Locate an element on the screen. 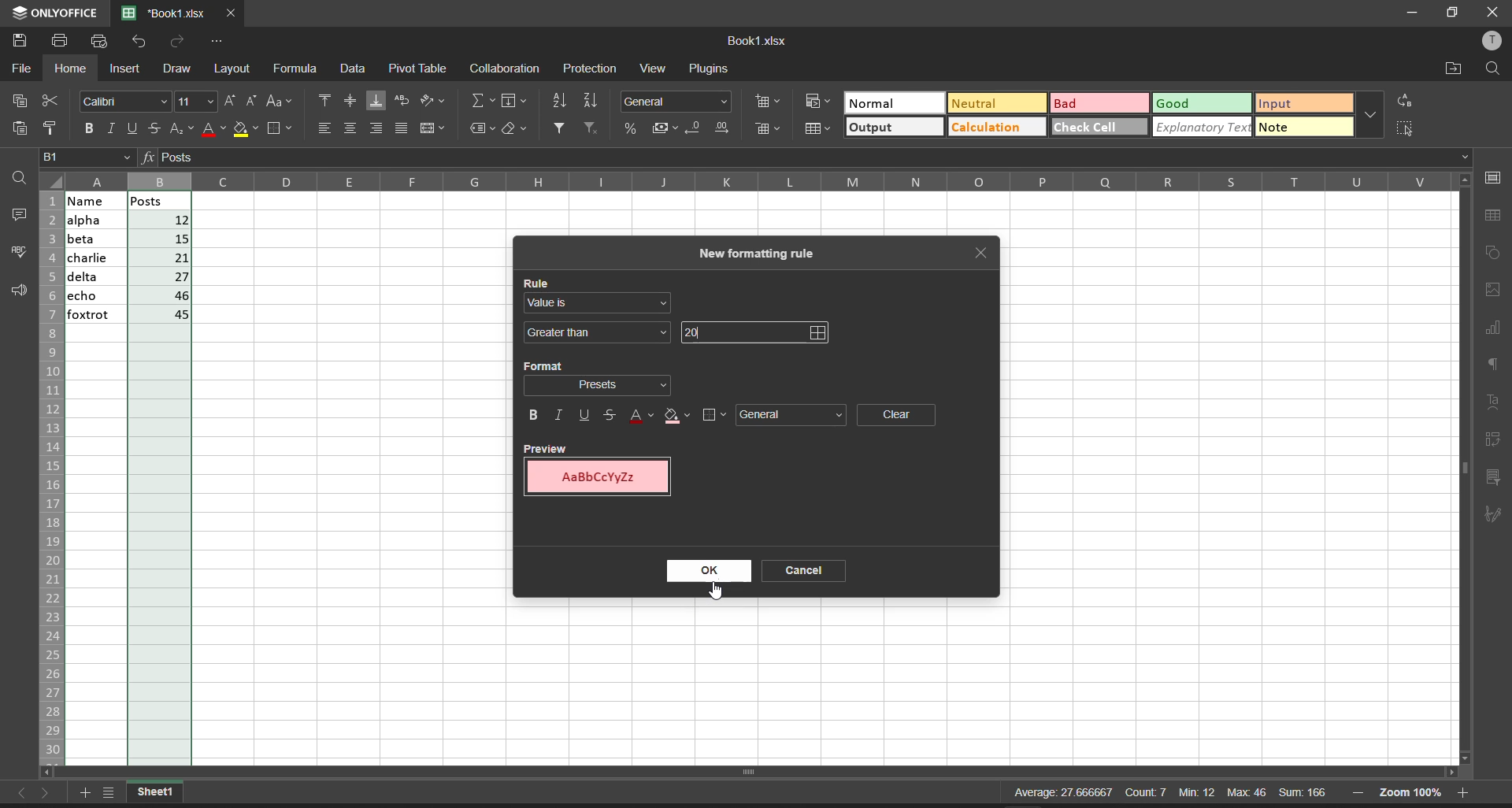 The width and height of the screenshot is (1512, 808). formula is located at coordinates (149, 157).